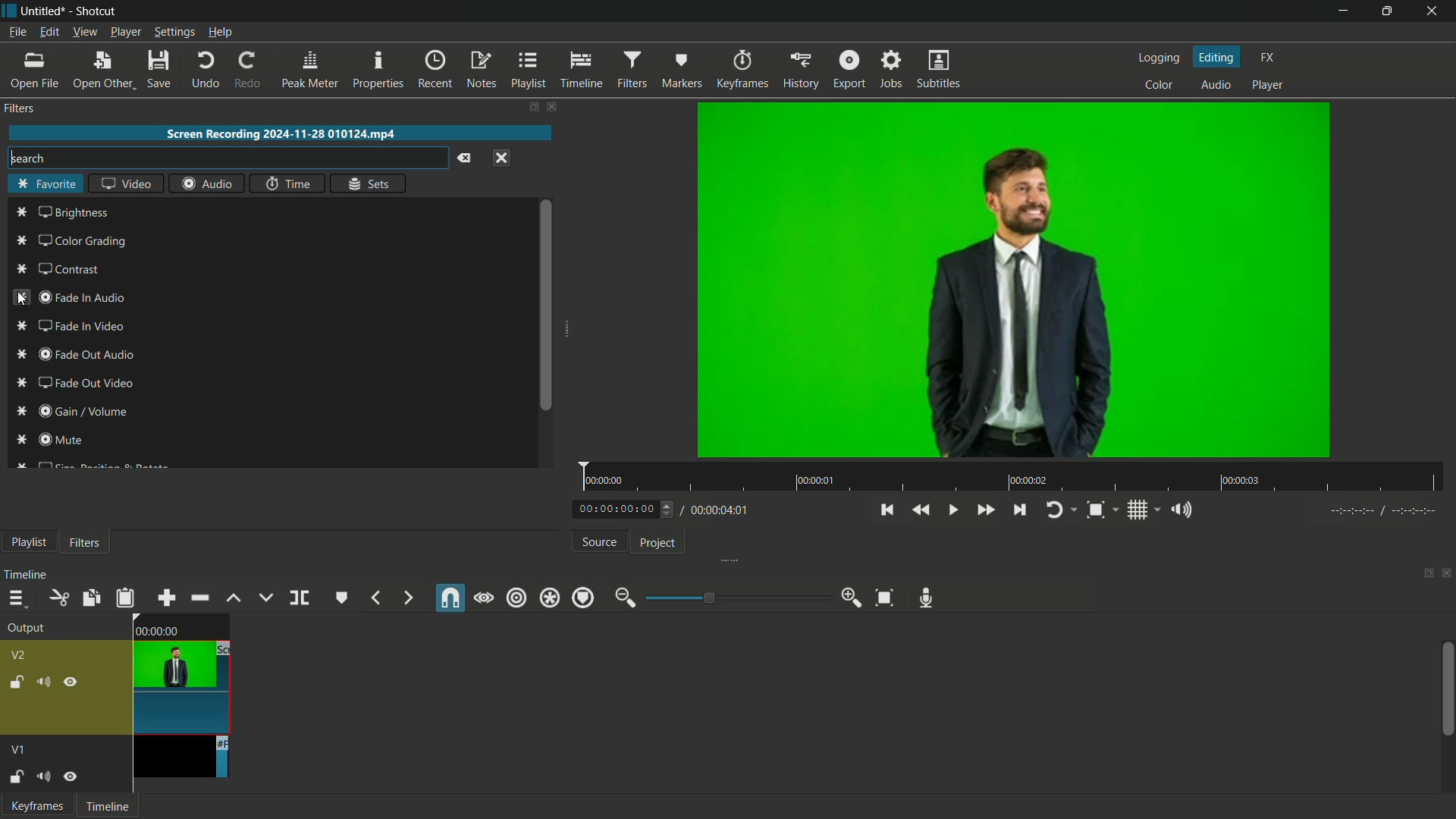 The height and width of the screenshot is (819, 1456). What do you see at coordinates (1158, 58) in the screenshot?
I see `logging` at bounding box center [1158, 58].